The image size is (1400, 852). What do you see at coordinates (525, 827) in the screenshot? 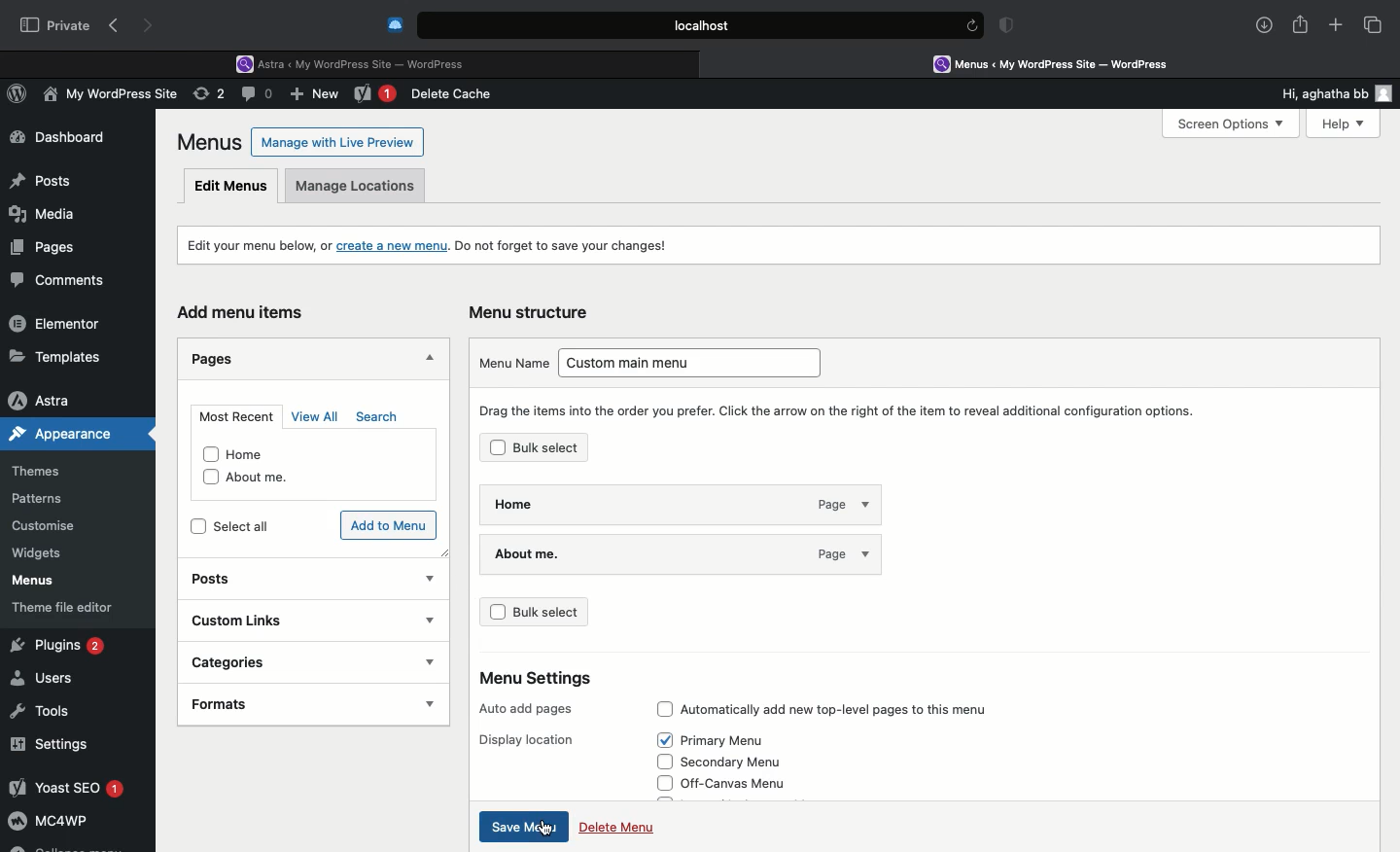
I see `Save menu` at bounding box center [525, 827].